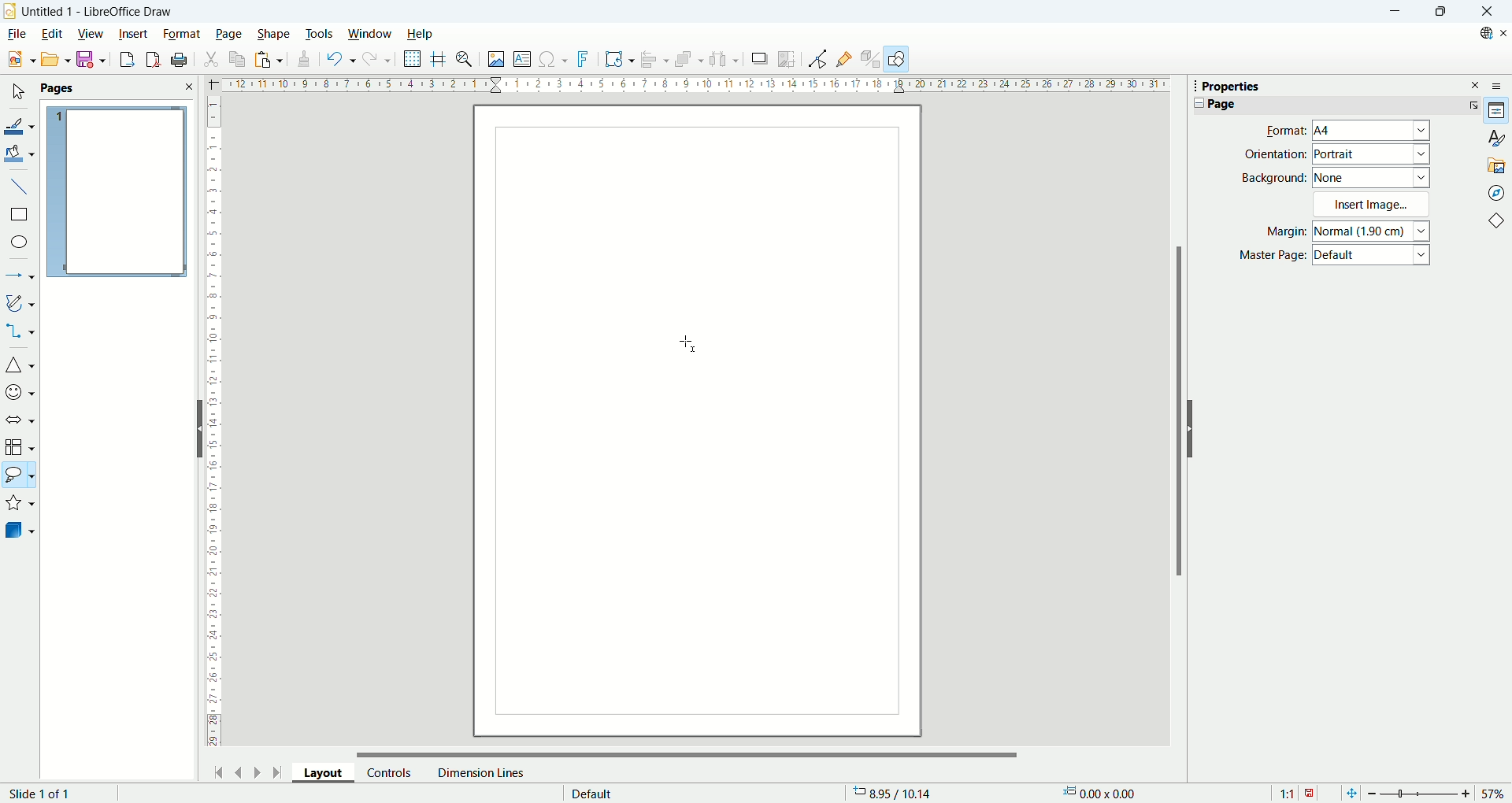 The image size is (1512, 803). What do you see at coordinates (268, 59) in the screenshot?
I see `paste` at bounding box center [268, 59].